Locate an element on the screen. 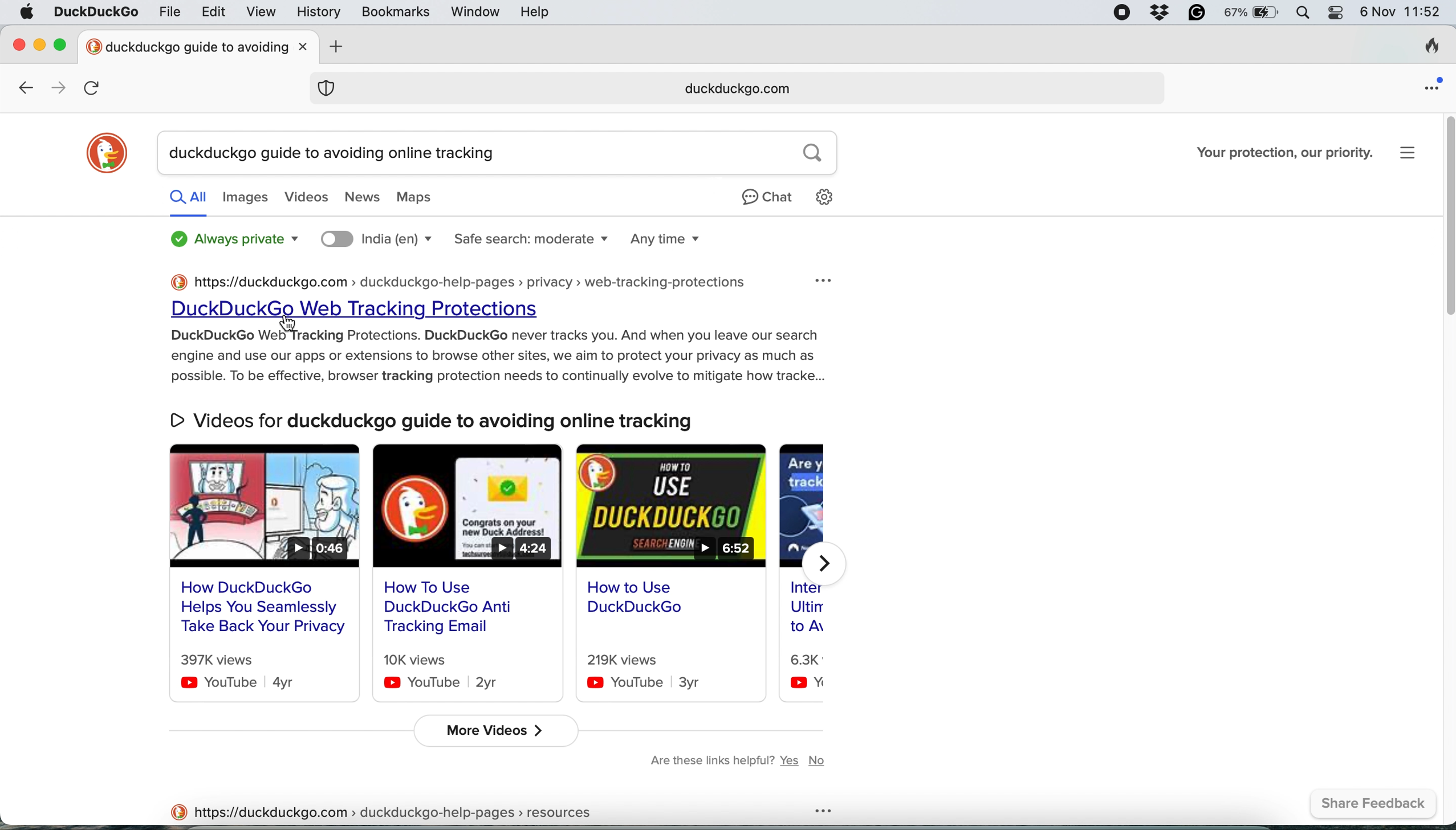 This screenshot has width=1456, height=830. close is located at coordinates (16, 45).